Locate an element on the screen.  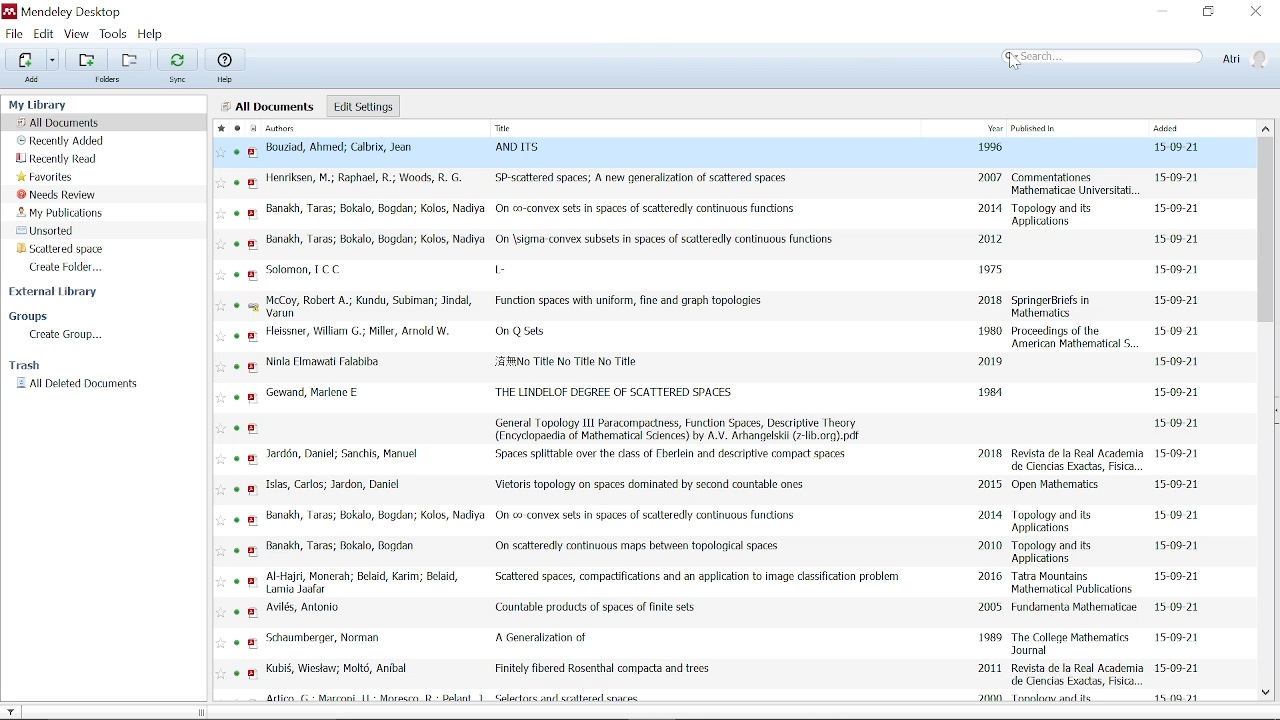
Add to favorite is located at coordinates (221, 520).